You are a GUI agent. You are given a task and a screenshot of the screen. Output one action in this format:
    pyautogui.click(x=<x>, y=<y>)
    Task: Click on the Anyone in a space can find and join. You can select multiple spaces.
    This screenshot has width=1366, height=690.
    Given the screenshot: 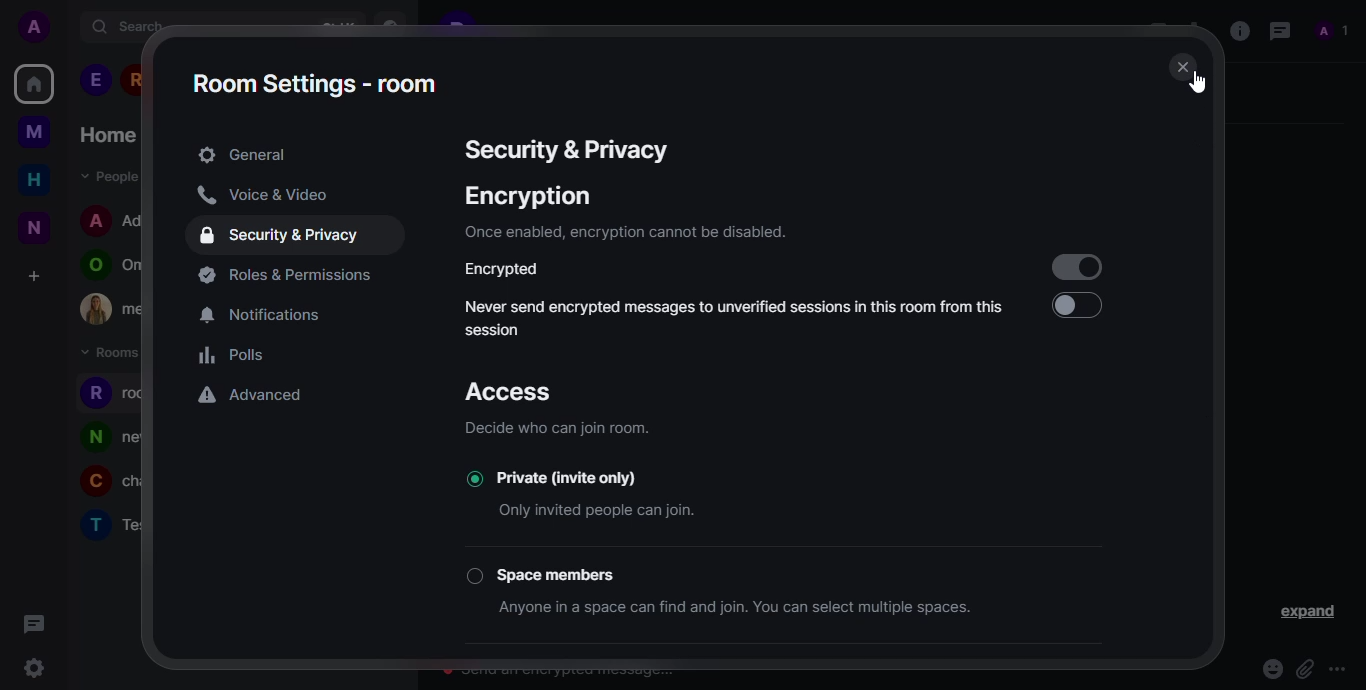 What is the action you would take?
    pyautogui.click(x=753, y=607)
    